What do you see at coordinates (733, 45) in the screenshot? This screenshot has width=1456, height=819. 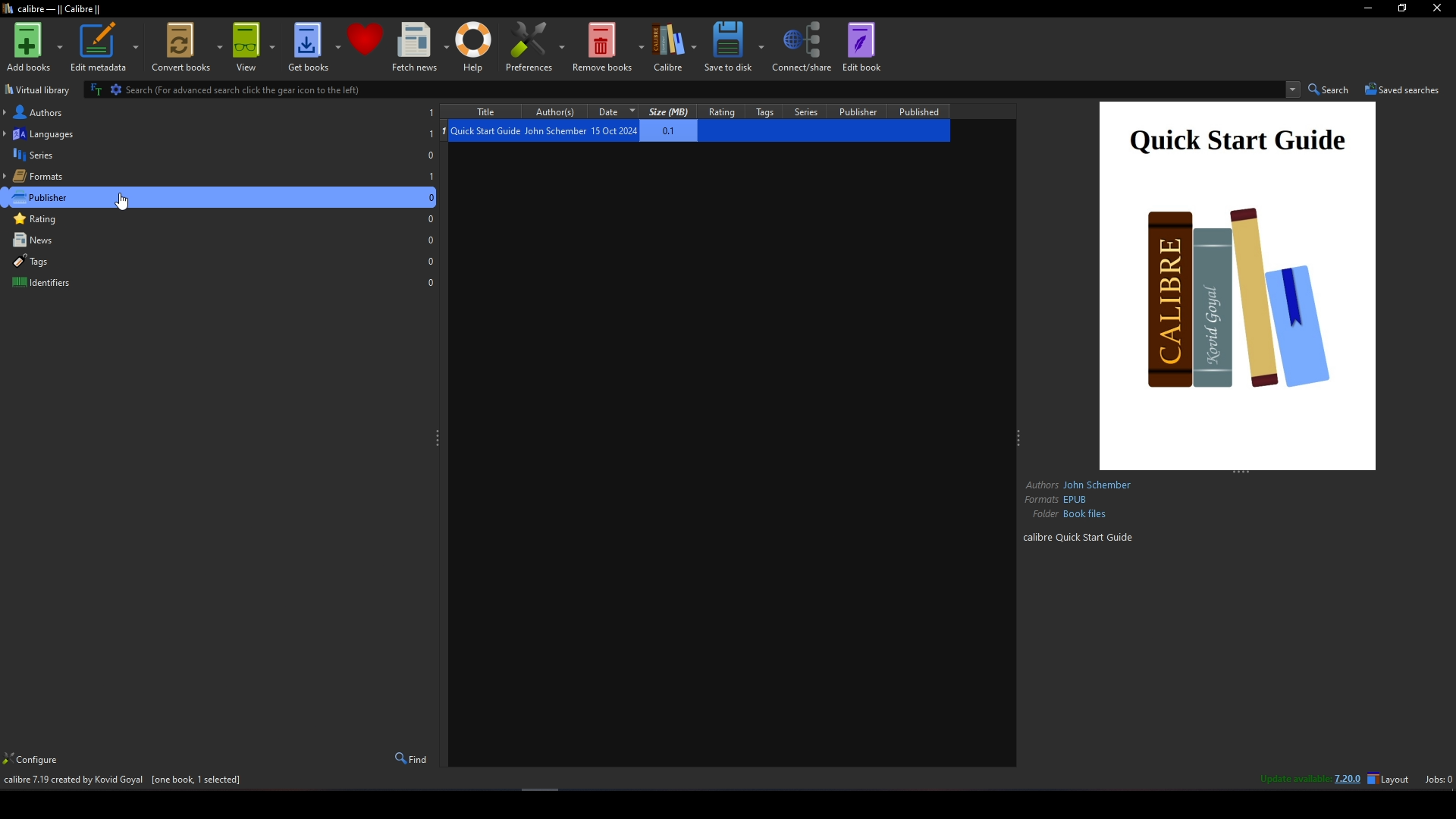 I see `Save to disk` at bounding box center [733, 45].